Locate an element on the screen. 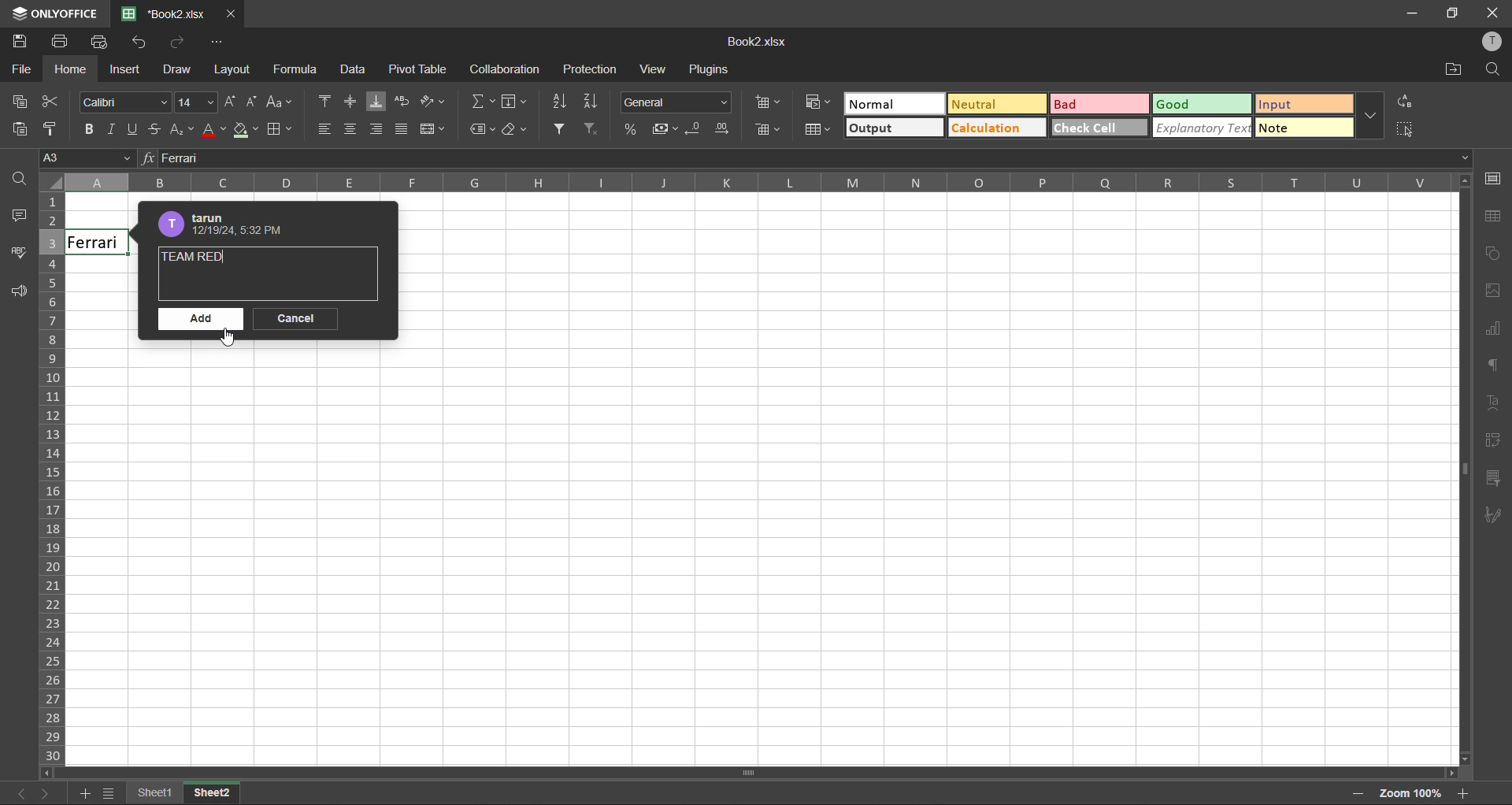  file is located at coordinates (20, 70).